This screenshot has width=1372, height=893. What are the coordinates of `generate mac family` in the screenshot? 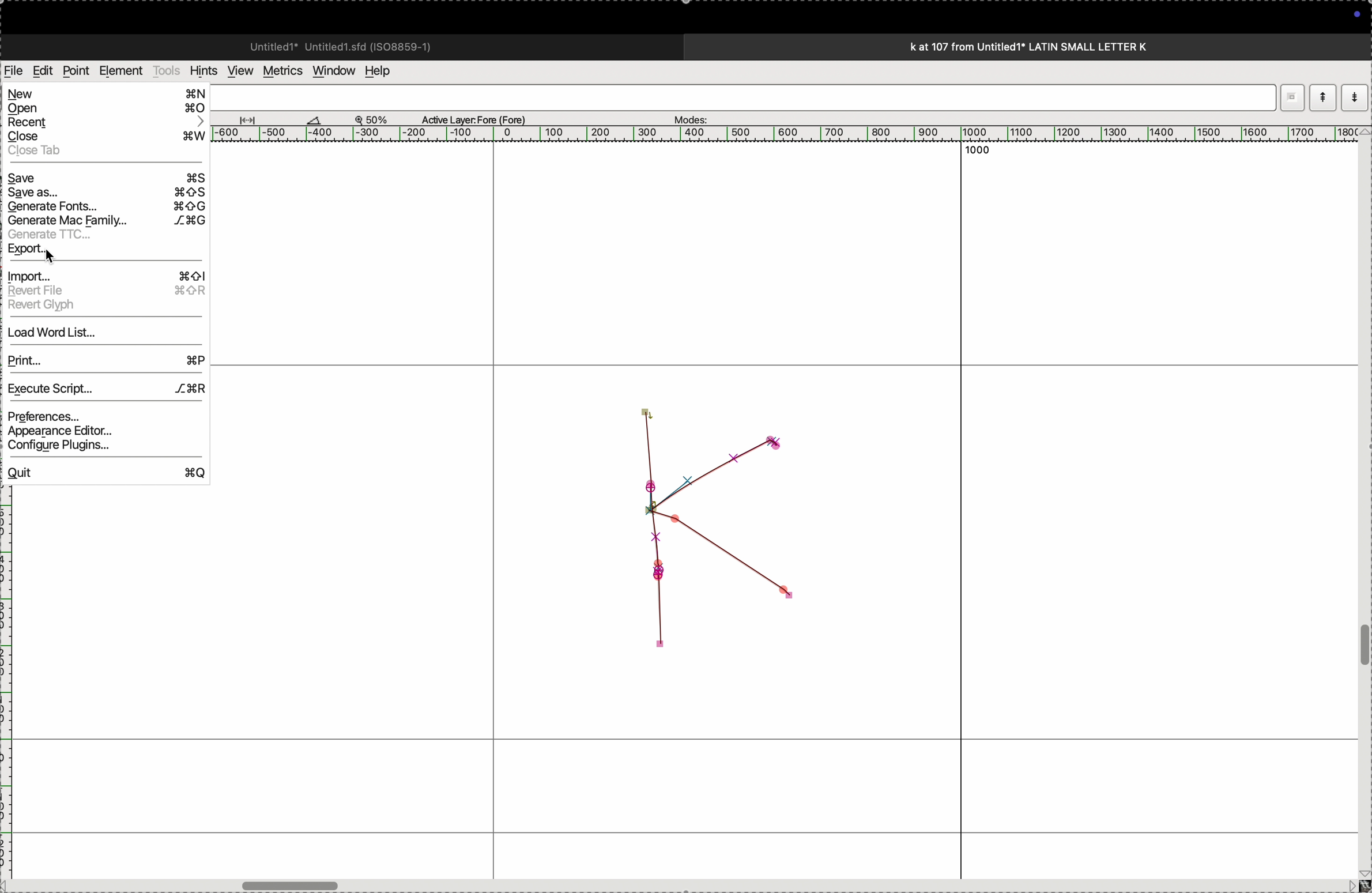 It's located at (105, 222).